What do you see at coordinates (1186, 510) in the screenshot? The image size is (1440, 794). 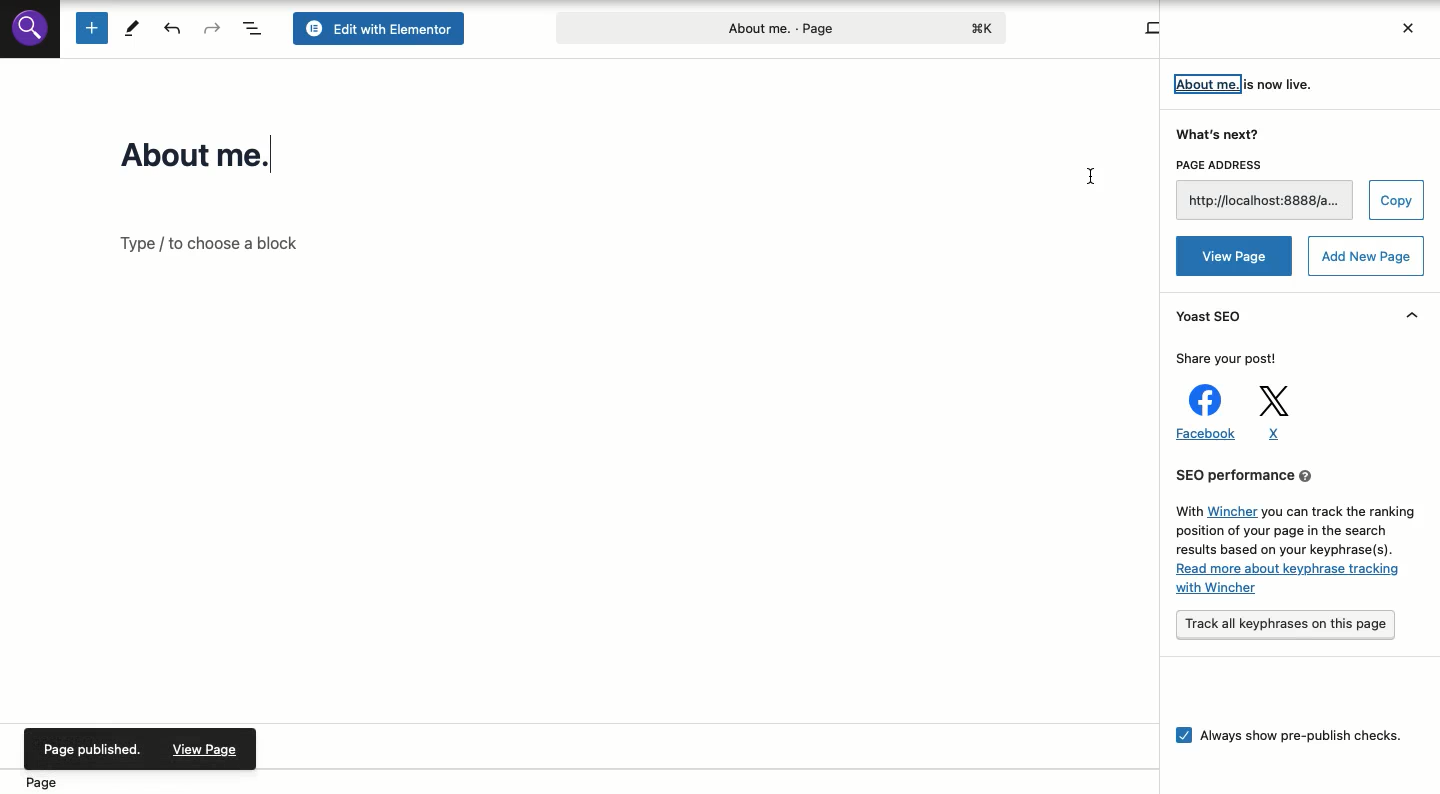 I see `With` at bounding box center [1186, 510].